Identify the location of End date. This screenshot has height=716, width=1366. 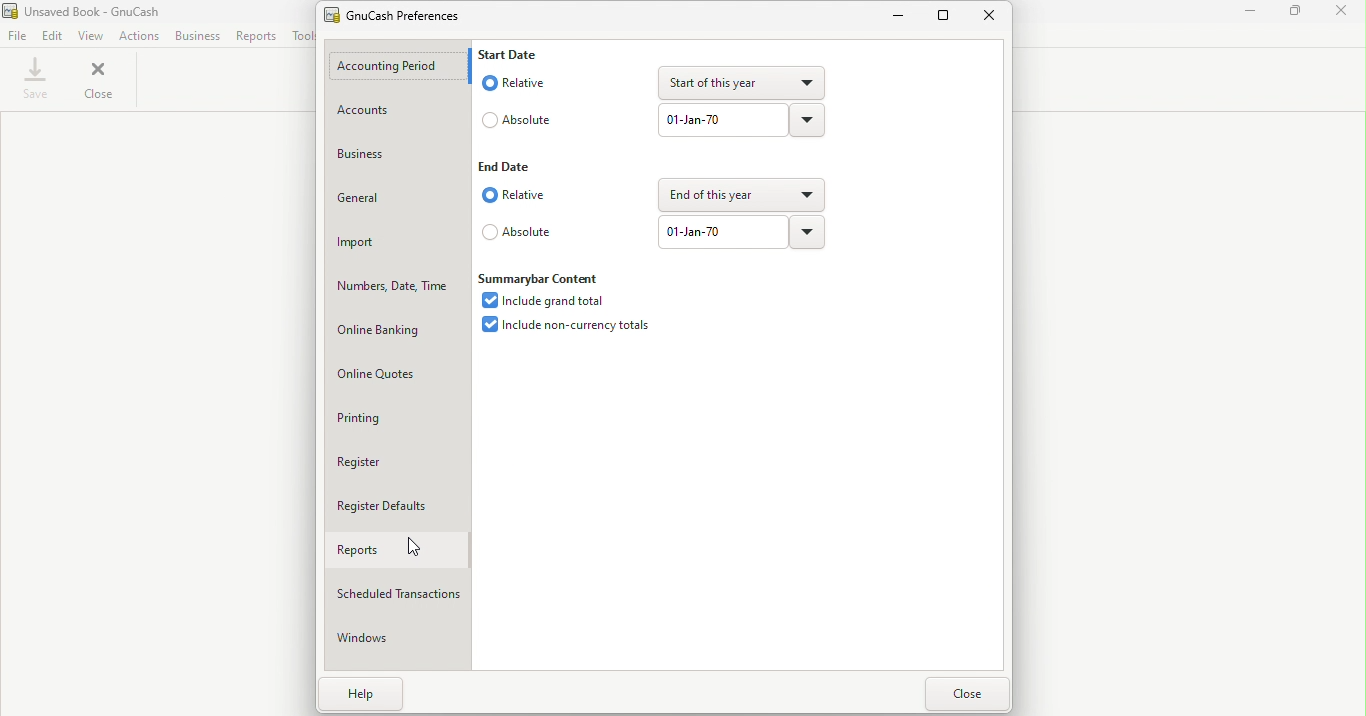
(512, 167).